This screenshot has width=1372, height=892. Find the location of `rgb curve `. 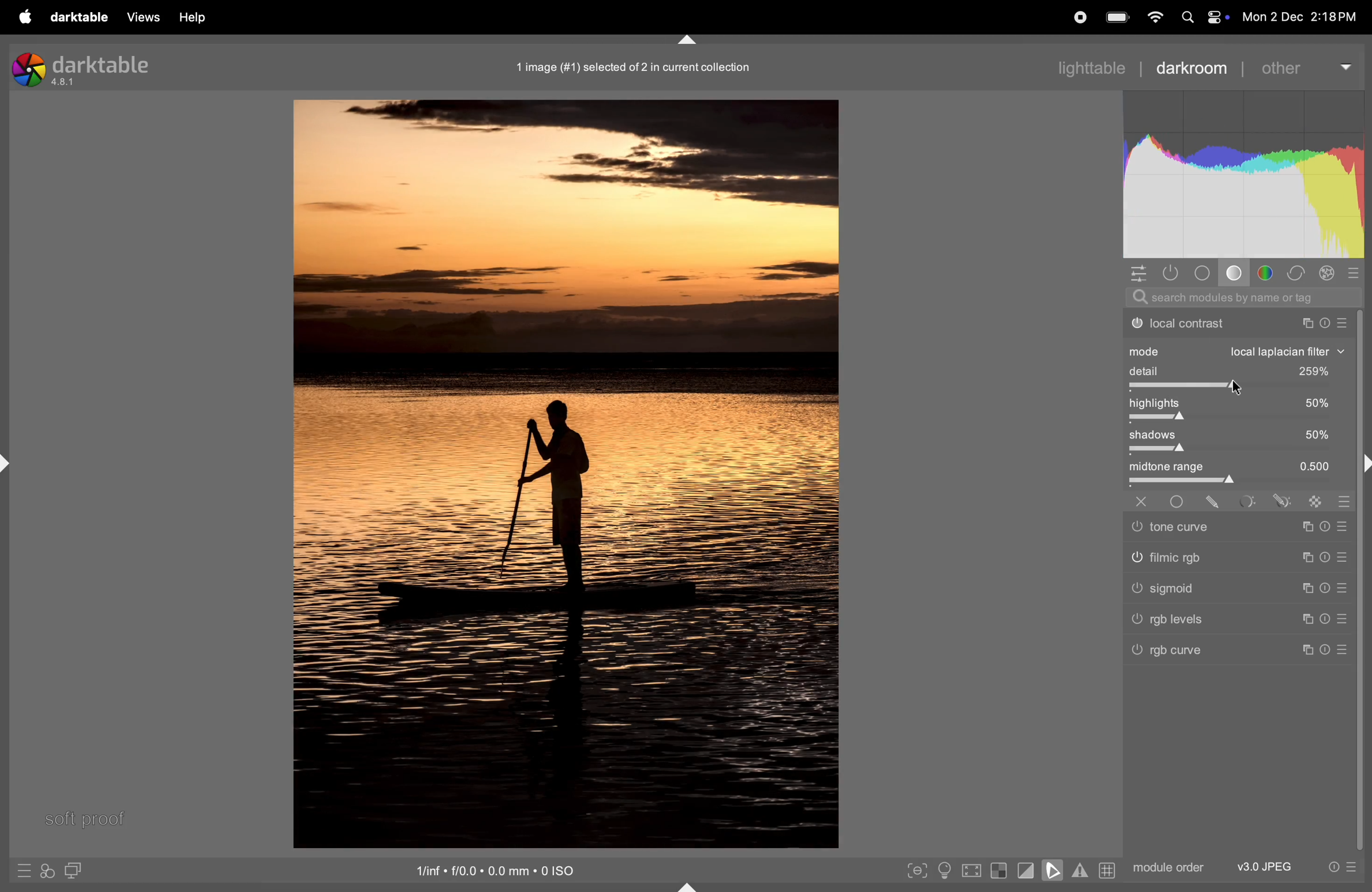

rgb curve  is located at coordinates (1177, 653).